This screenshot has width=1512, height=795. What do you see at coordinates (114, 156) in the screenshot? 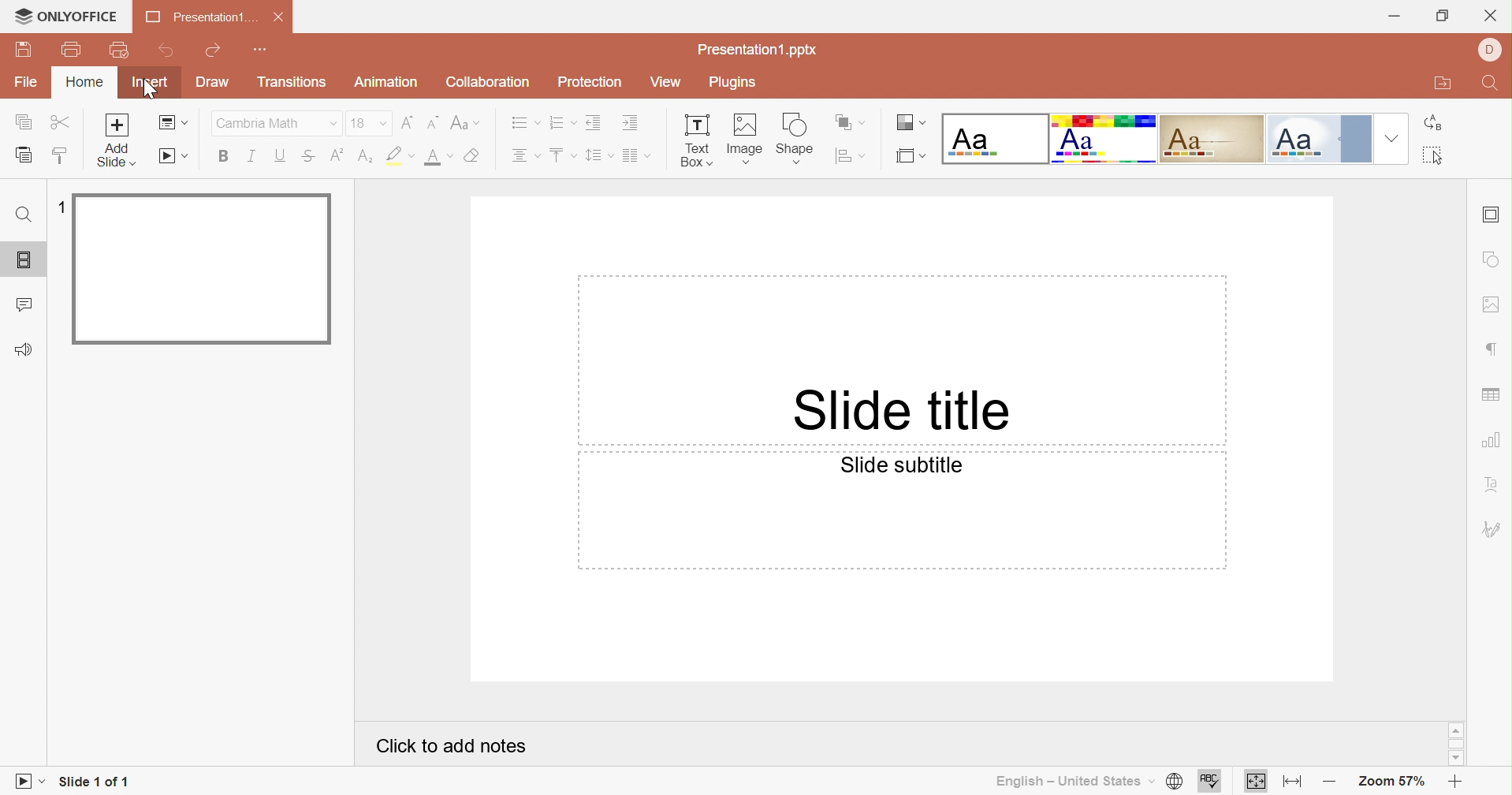
I see `add slide with theme` at bounding box center [114, 156].